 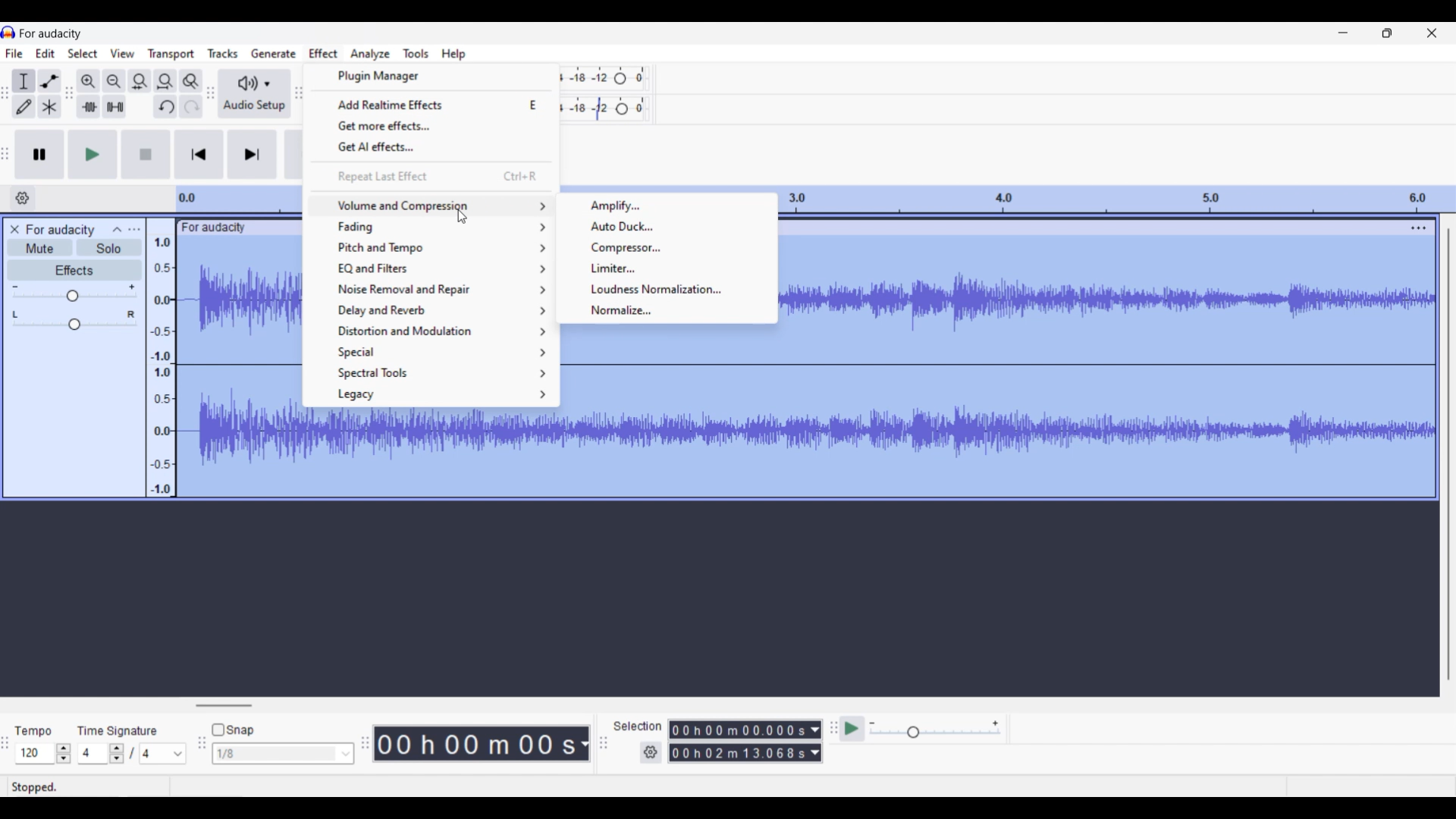 I want to click on Duration measurement, so click(x=583, y=744).